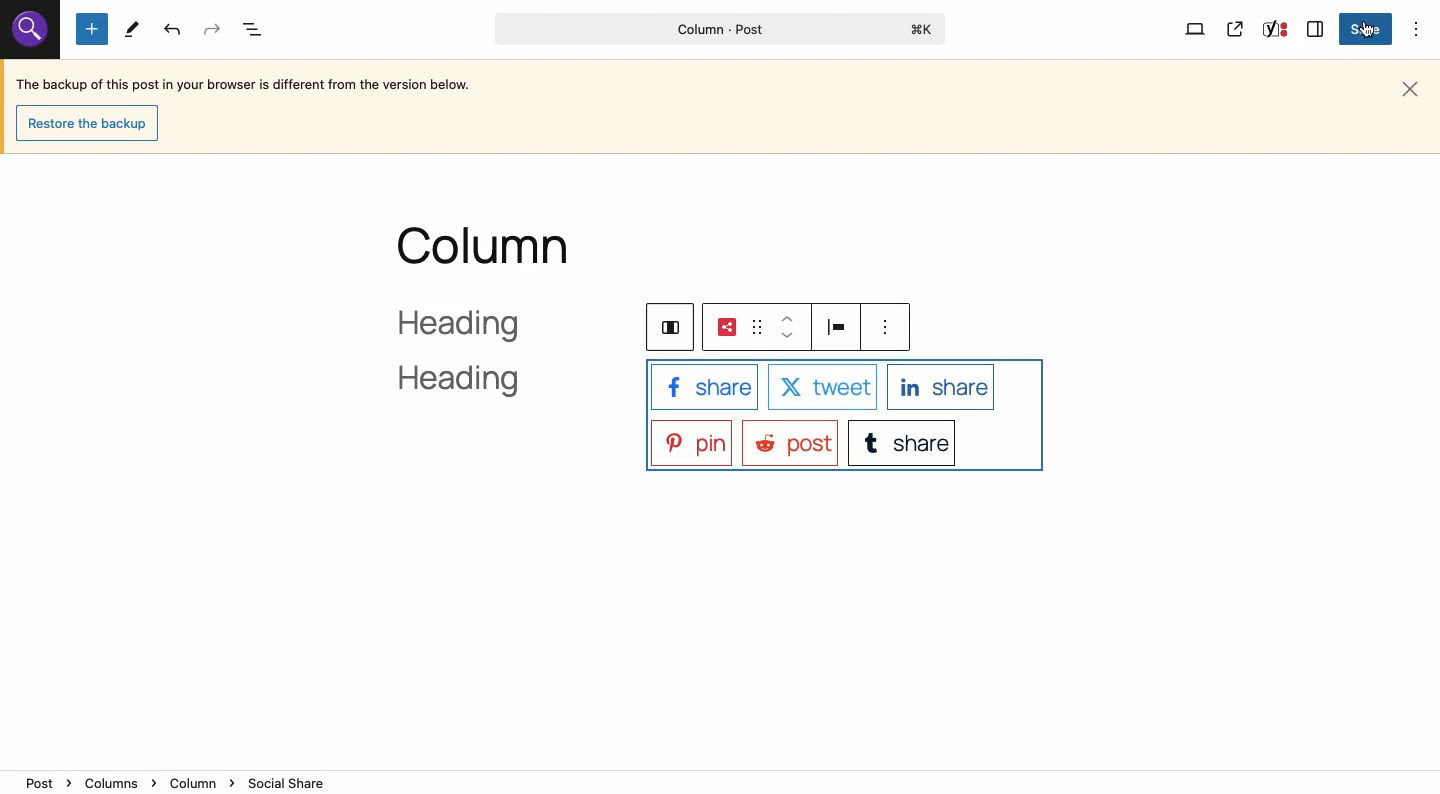 This screenshot has width=1440, height=794. I want to click on Yoast, so click(1273, 31).